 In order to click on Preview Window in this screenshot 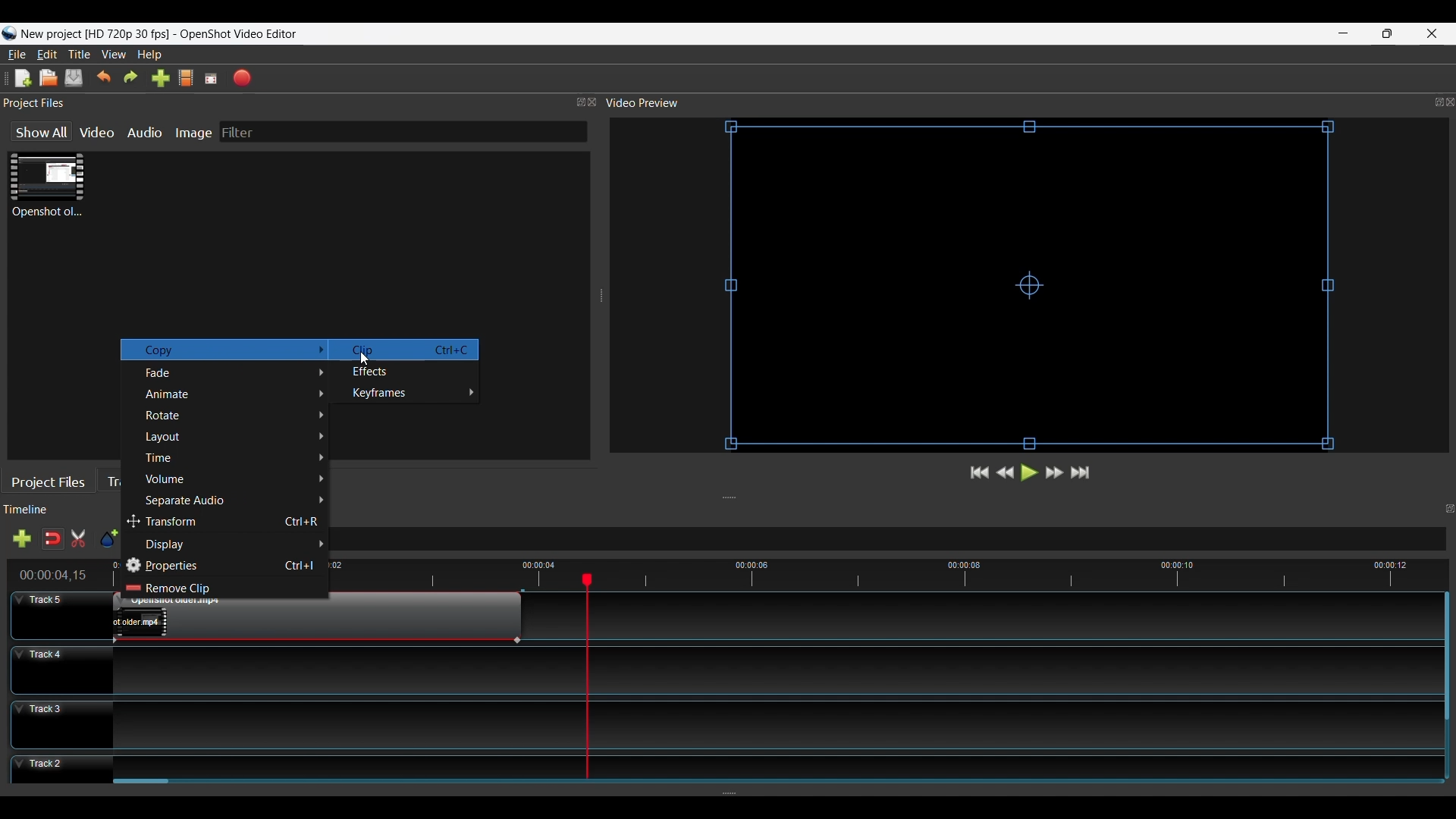, I will do `click(1034, 287)`.